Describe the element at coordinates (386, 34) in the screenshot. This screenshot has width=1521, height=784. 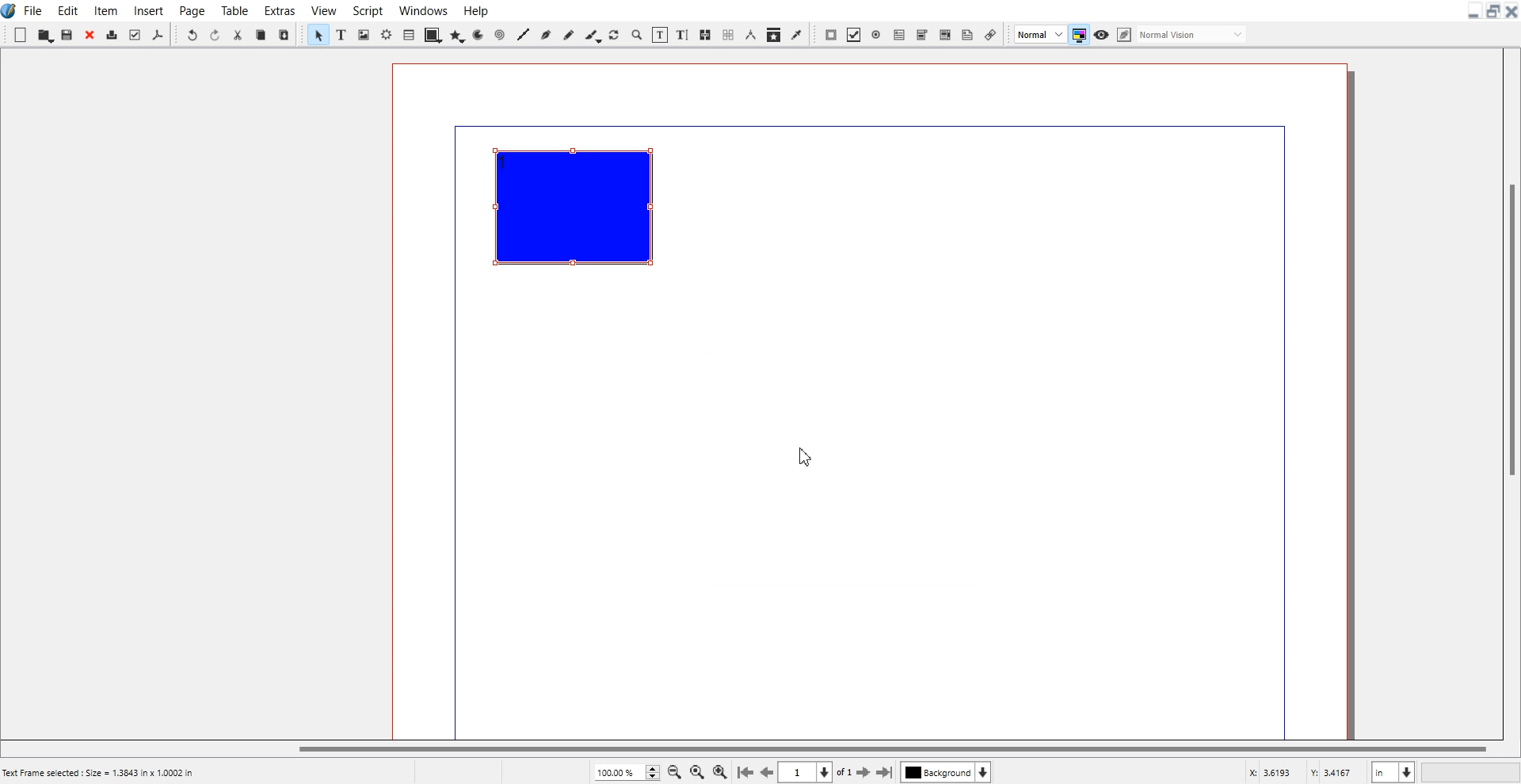
I see `Render frame` at that location.